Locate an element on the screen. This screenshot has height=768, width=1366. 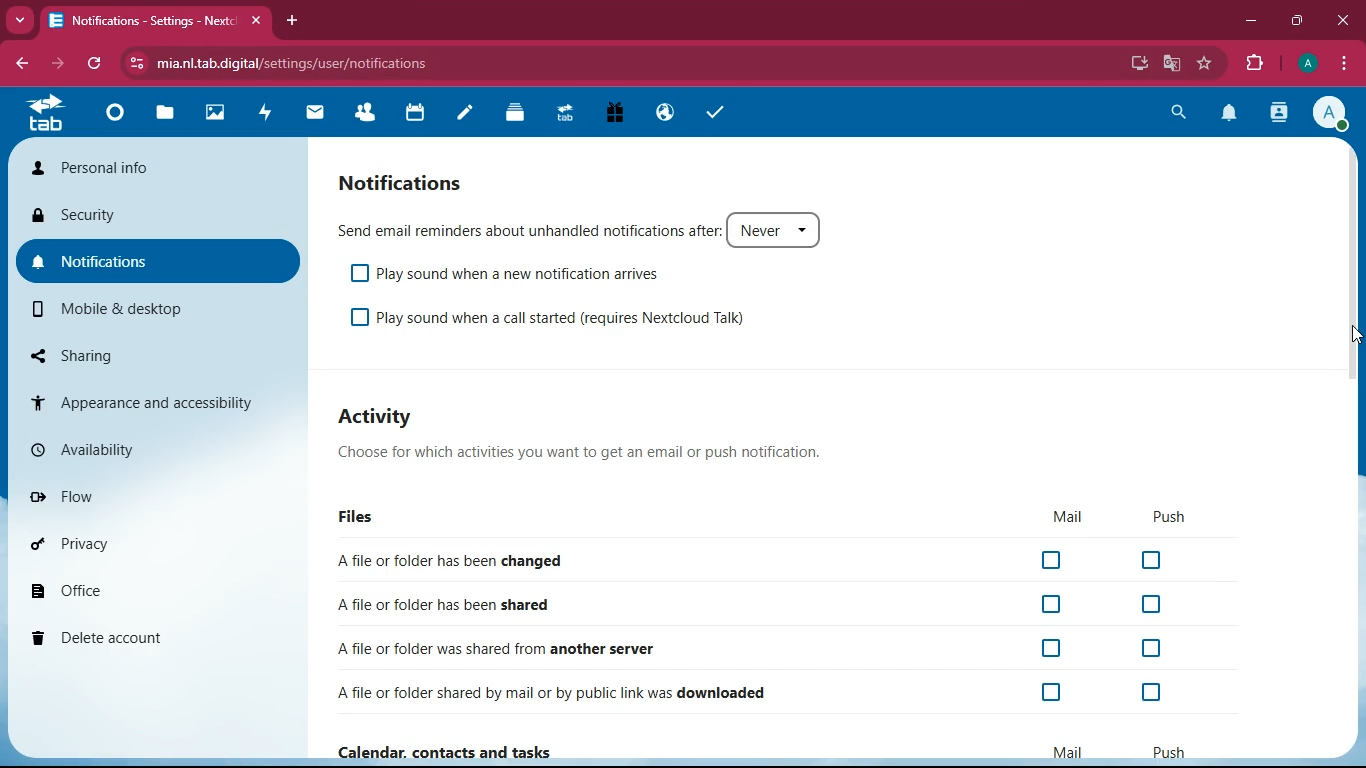
off is located at coordinates (1055, 603).